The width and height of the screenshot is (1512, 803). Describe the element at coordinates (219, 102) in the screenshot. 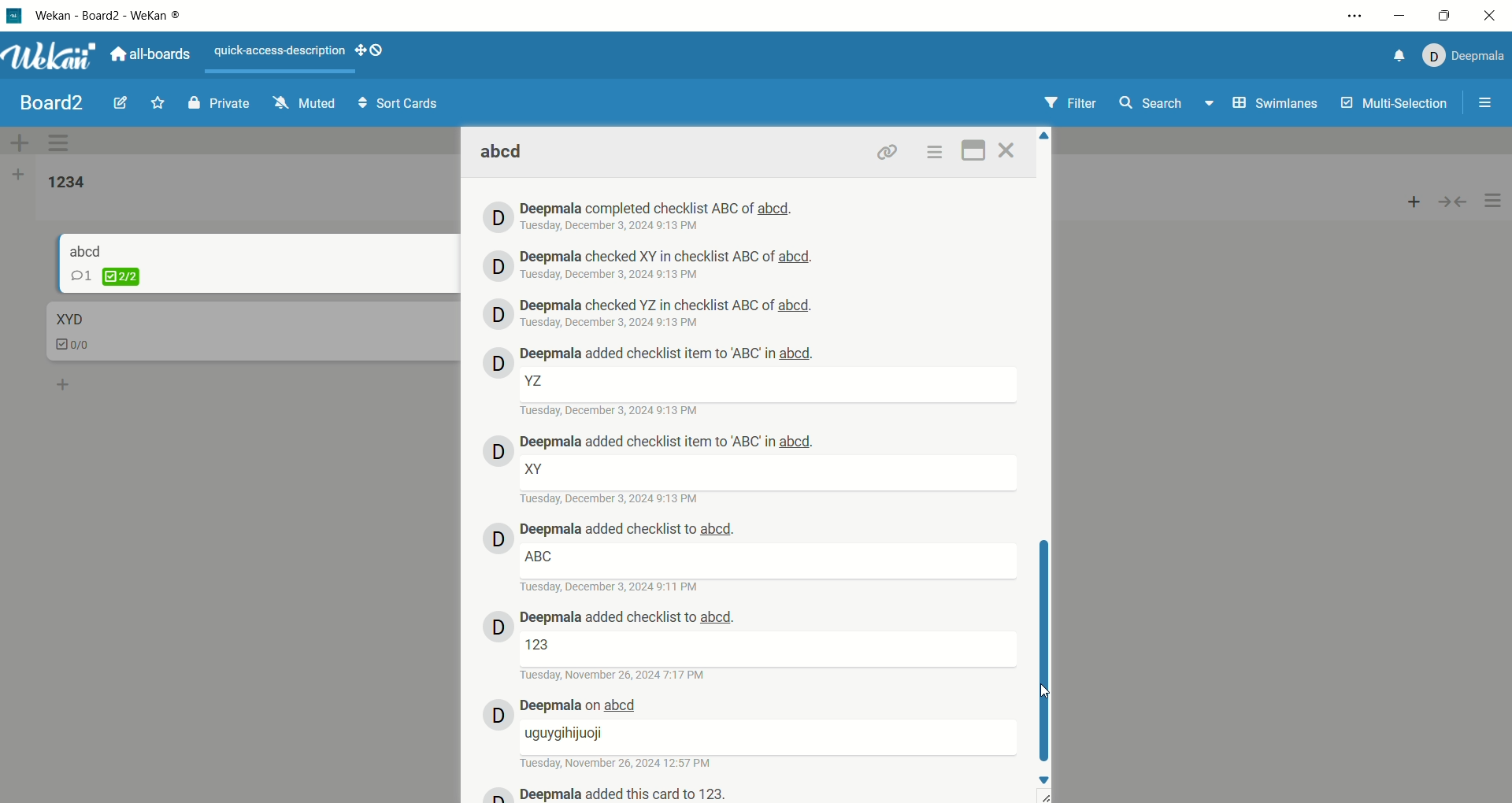

I see `private` at that location.